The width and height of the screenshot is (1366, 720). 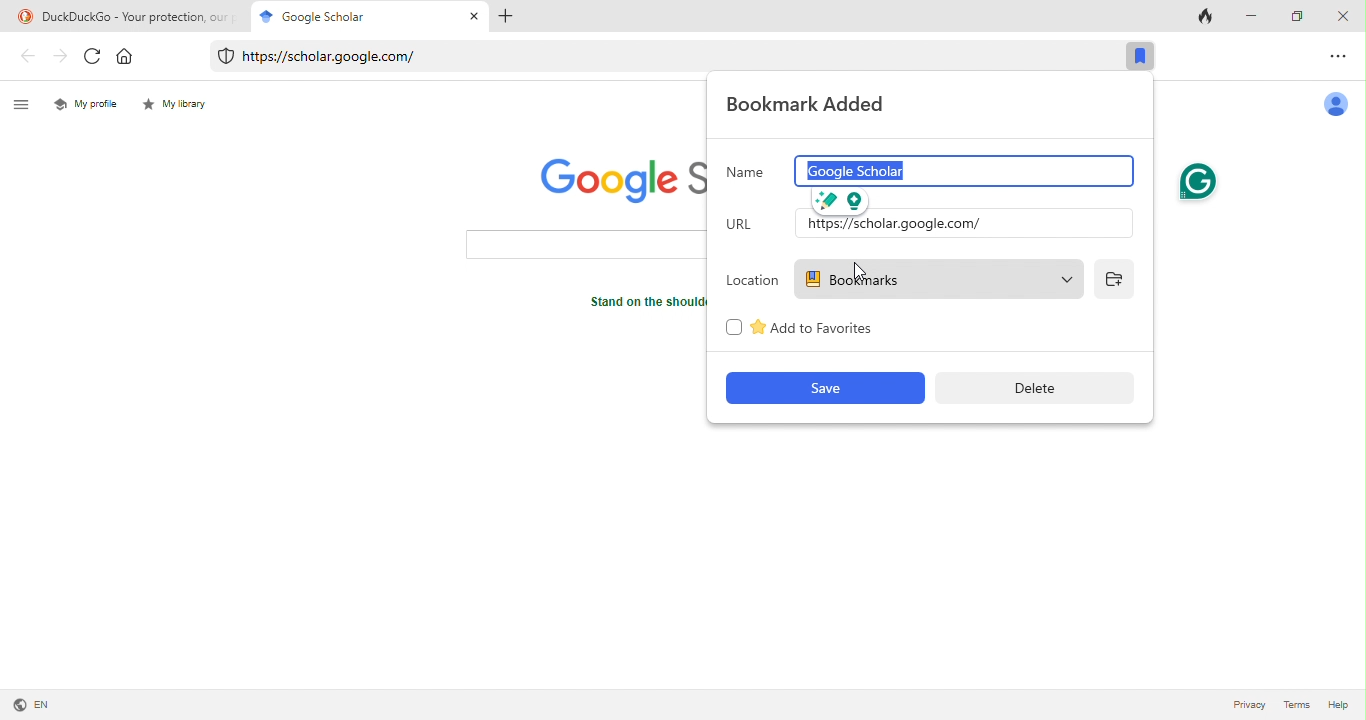 I want to click on improve it, so click(x=829, y=200).